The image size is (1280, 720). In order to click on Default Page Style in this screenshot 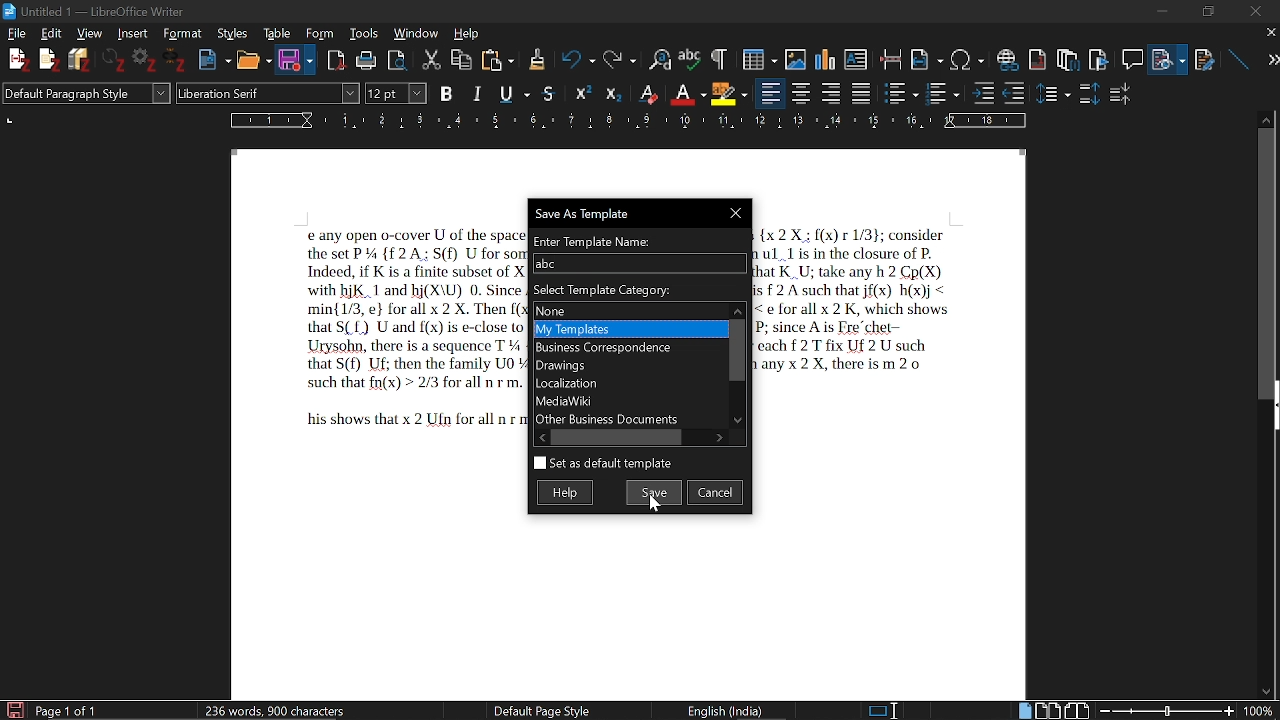, I will do `click(541, 710)`.